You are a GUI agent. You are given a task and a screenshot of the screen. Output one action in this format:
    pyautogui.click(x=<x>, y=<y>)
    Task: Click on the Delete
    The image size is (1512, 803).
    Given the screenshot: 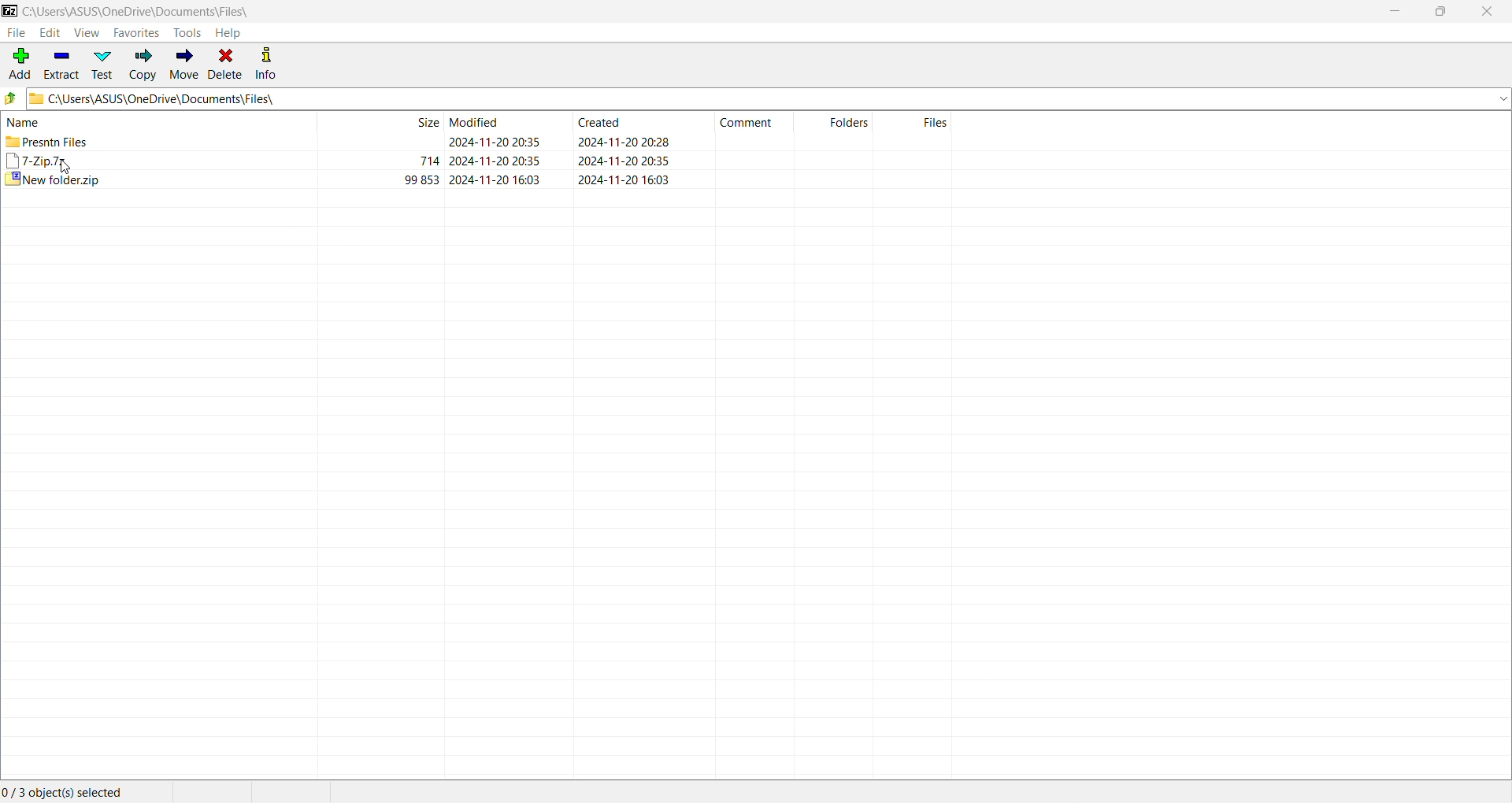 What is the action you would take?
    pyautogui.click(x=226, y=63)
    